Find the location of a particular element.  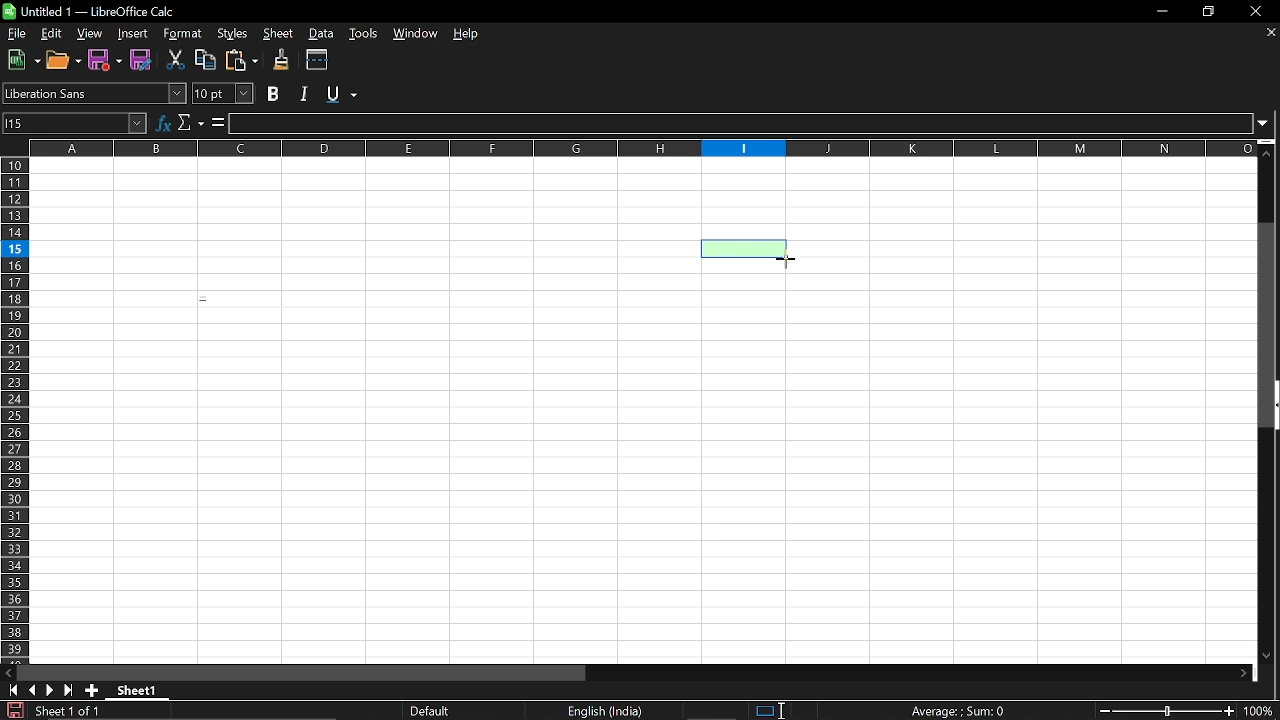

Split wondows is located at coordinates (318, 60).